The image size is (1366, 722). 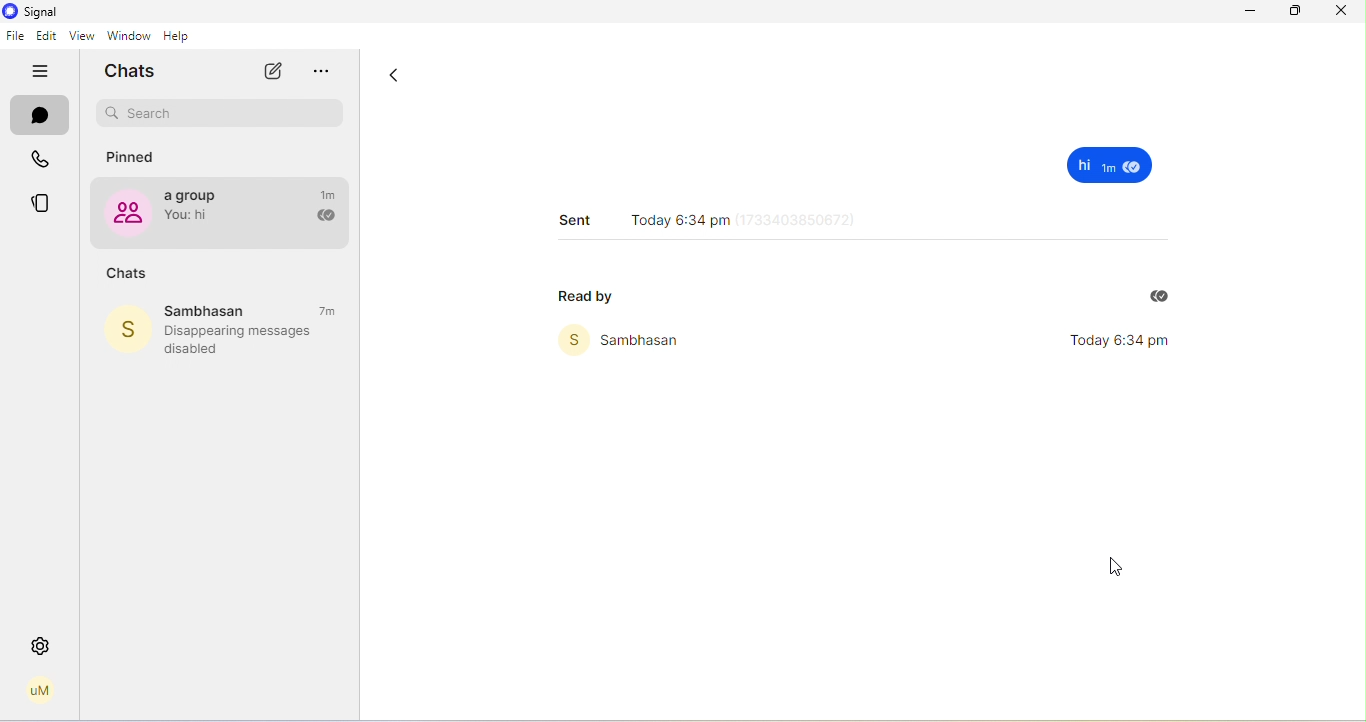 I want to click on status, so click(x=44, y=204).